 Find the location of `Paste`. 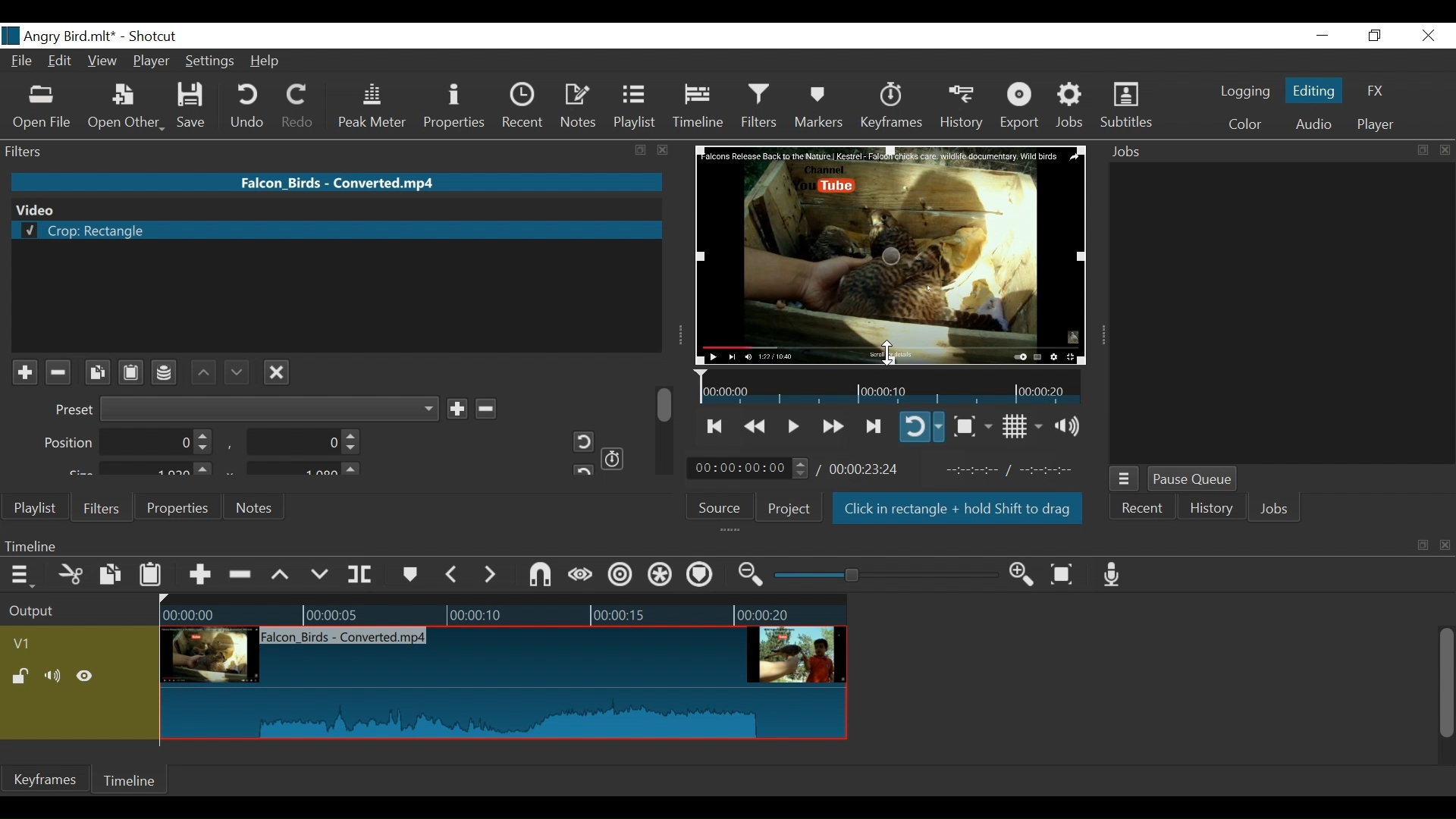

Paste is located at coordinates (152, 578).